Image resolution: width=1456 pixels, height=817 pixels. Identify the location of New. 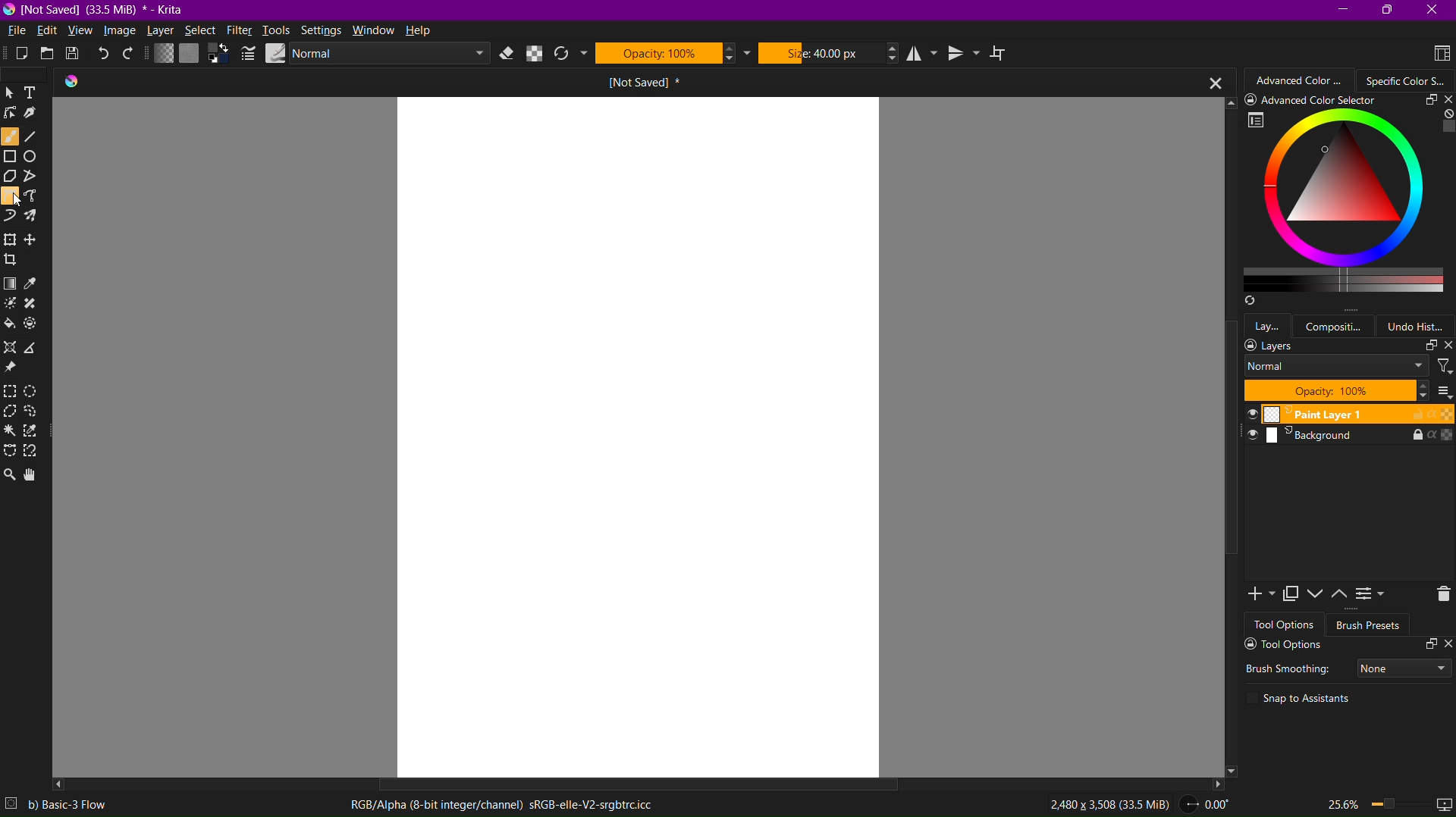
(14, 55).